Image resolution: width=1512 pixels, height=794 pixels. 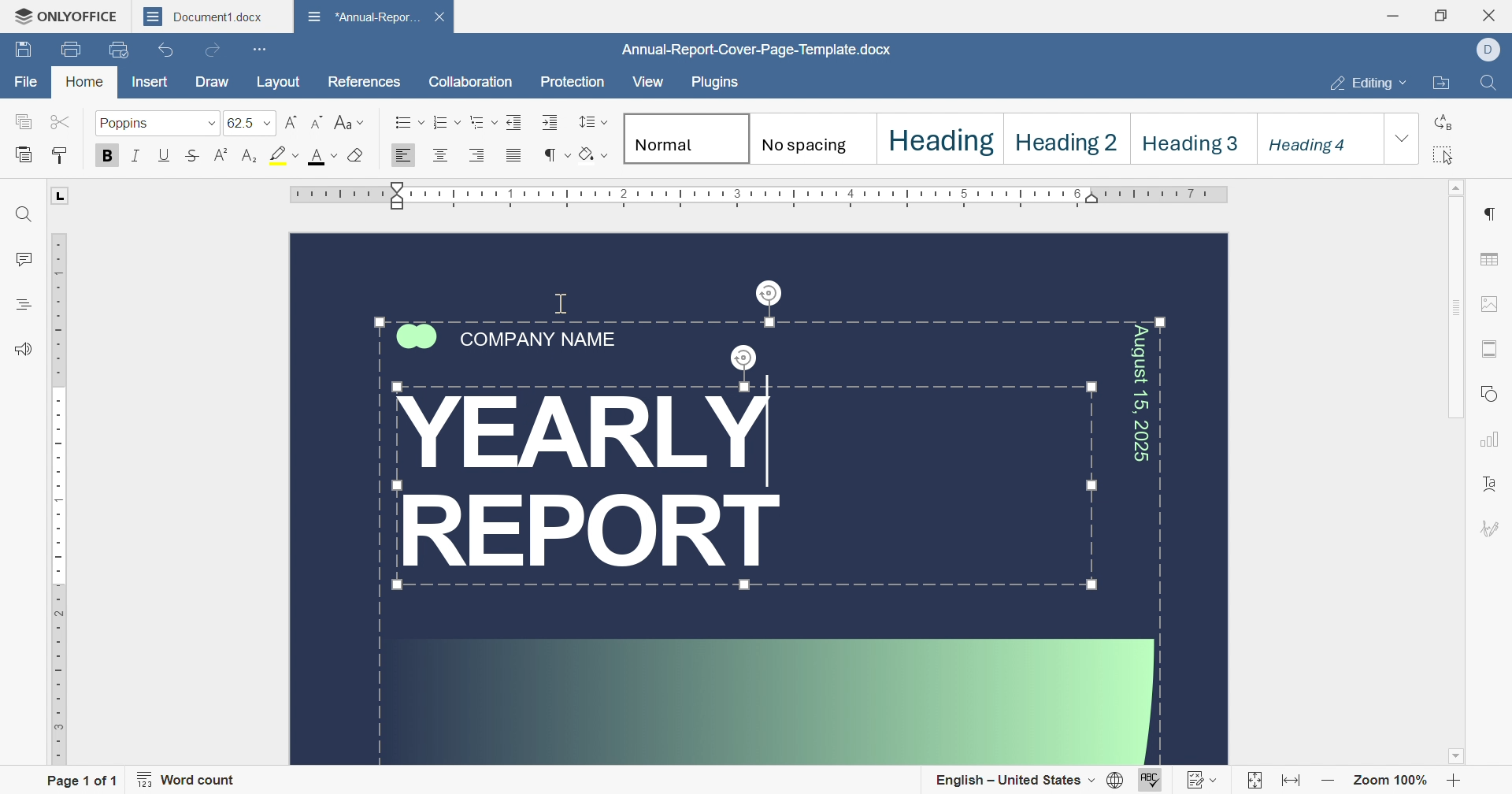 I want to click on Document1.docx, so click(x=749, y=50).